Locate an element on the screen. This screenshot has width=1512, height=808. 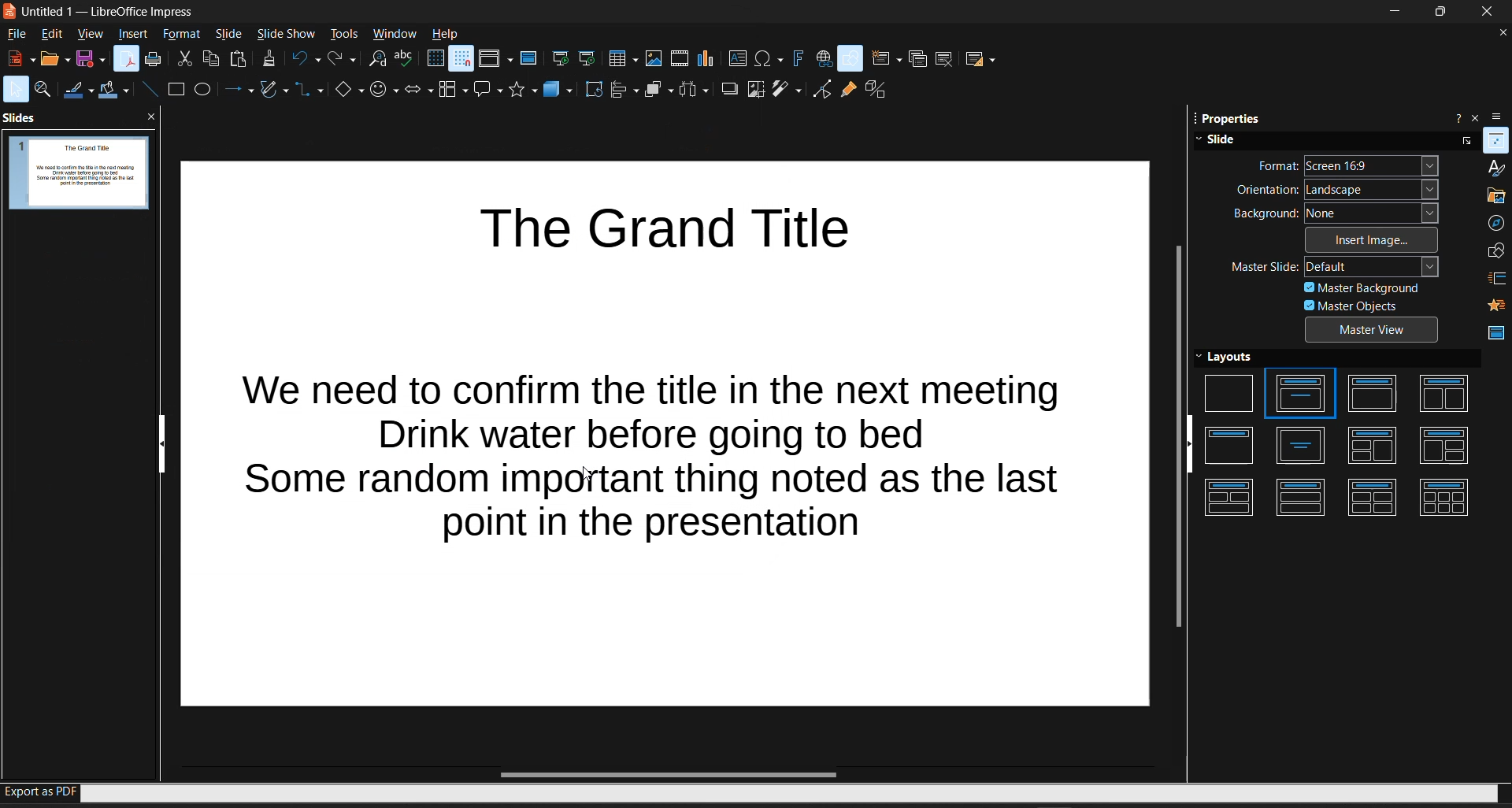
more options is located at coordinates (1463, 142).